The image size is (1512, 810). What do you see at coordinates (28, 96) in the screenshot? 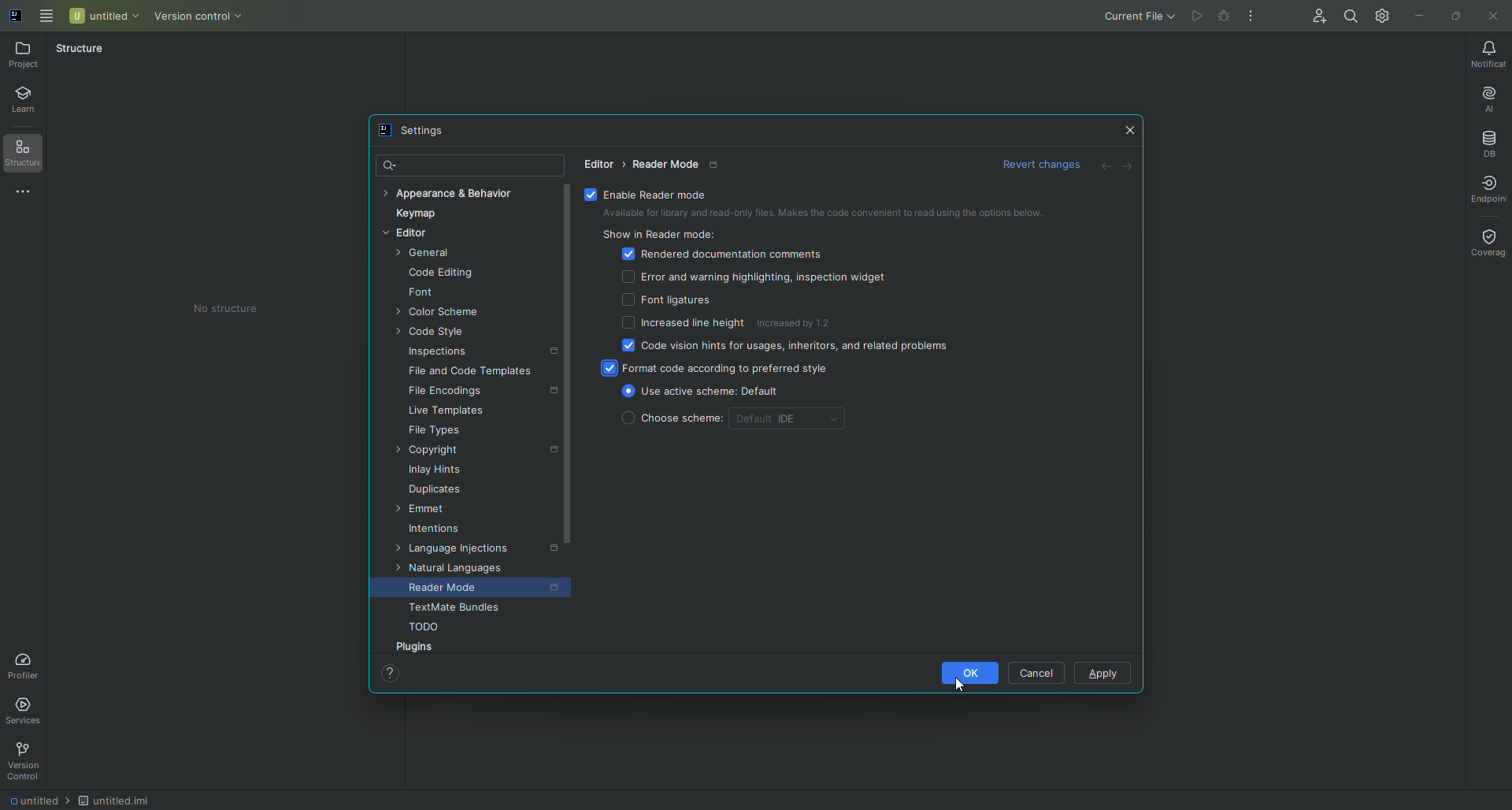
I see `Learn` at bounding box center [28, 96].